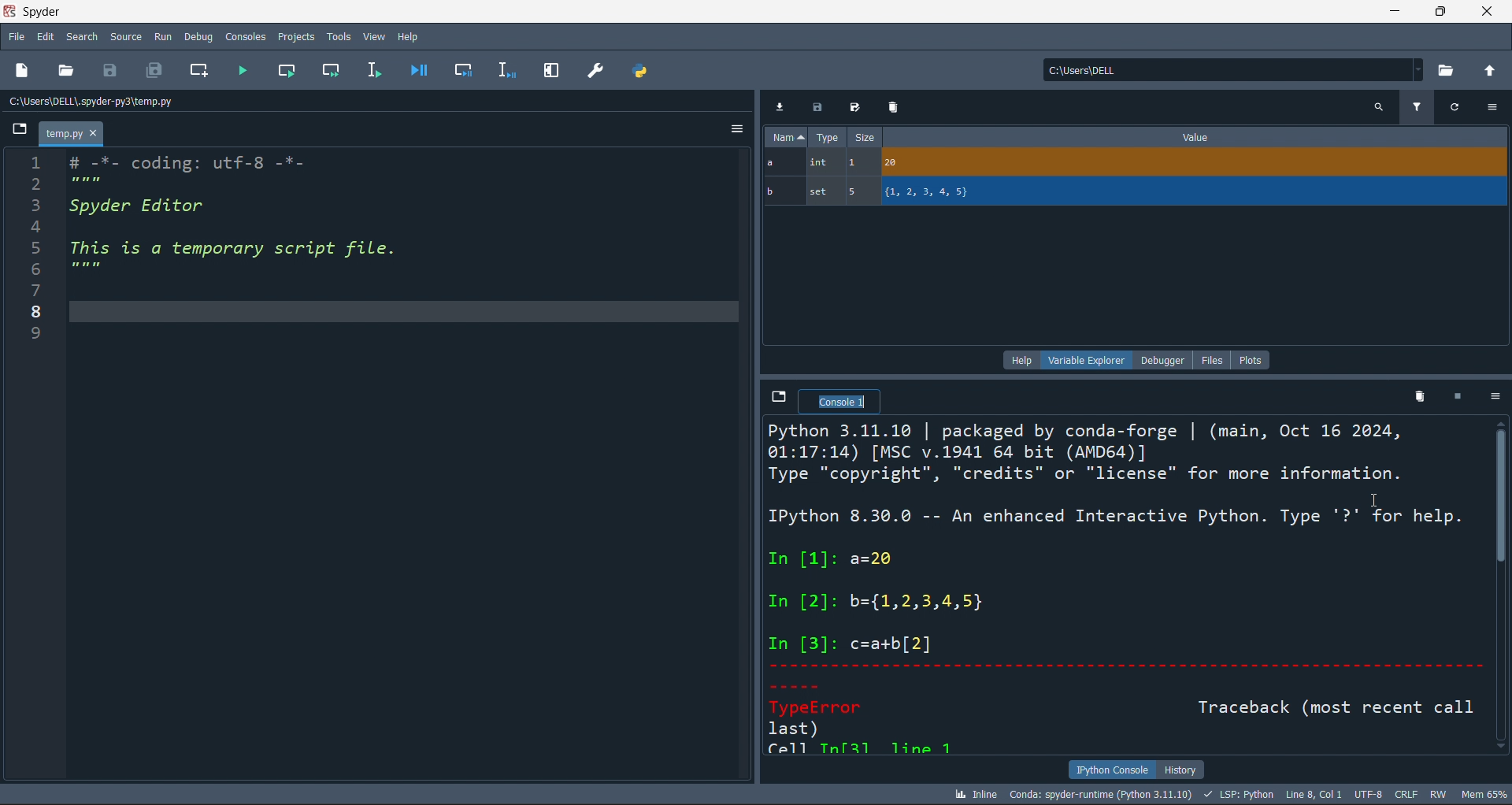 The height and width of the screenshot is (805, 1512). Describe the element at coordinates (154, 72) in the screenshot. I see `save all` at that location.